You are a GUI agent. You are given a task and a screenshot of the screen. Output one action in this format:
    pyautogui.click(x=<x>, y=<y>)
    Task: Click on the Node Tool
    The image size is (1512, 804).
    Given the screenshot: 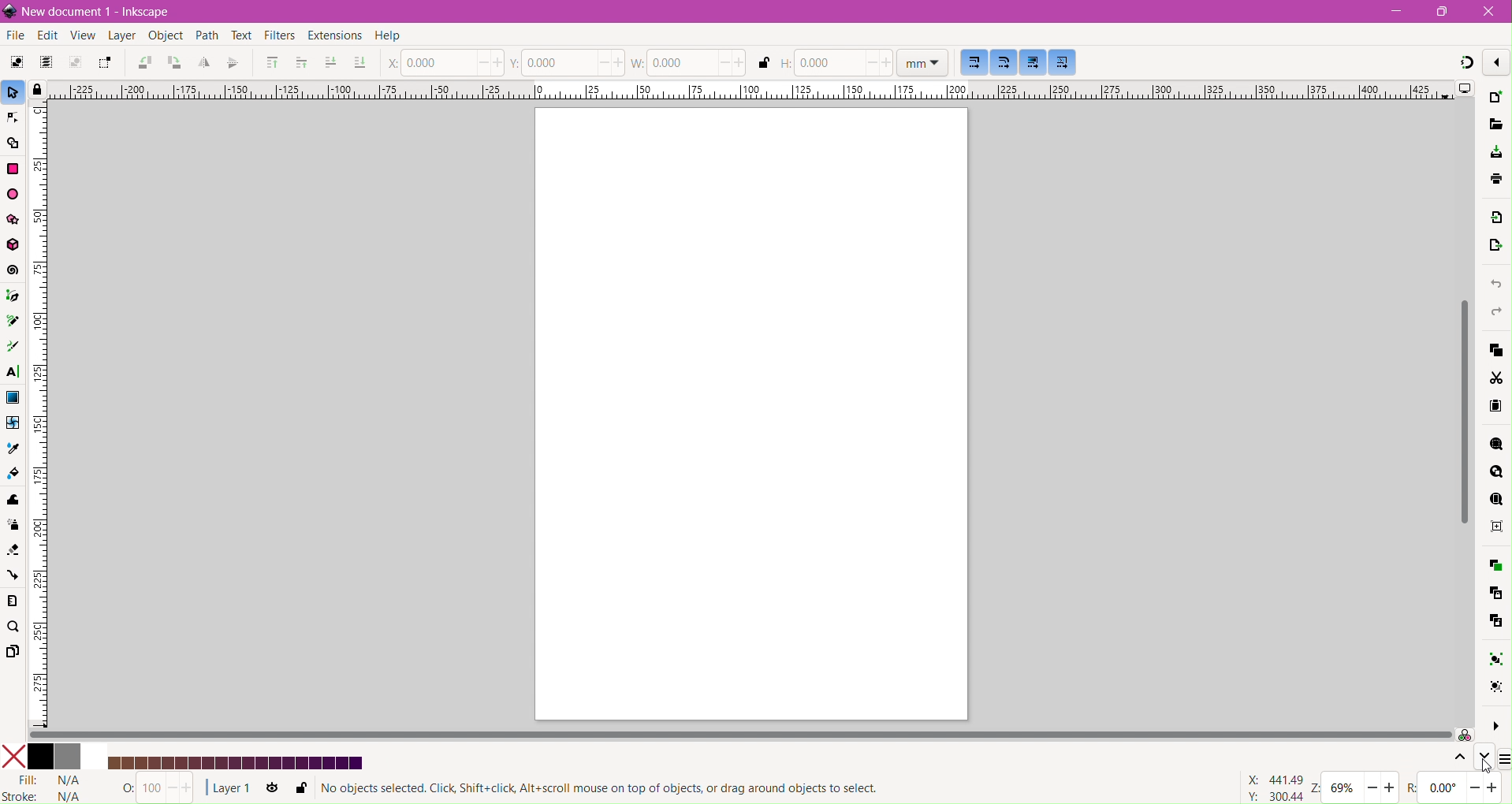 What is the action you would take?
    pyautogui.click(x=13, y=118)
    